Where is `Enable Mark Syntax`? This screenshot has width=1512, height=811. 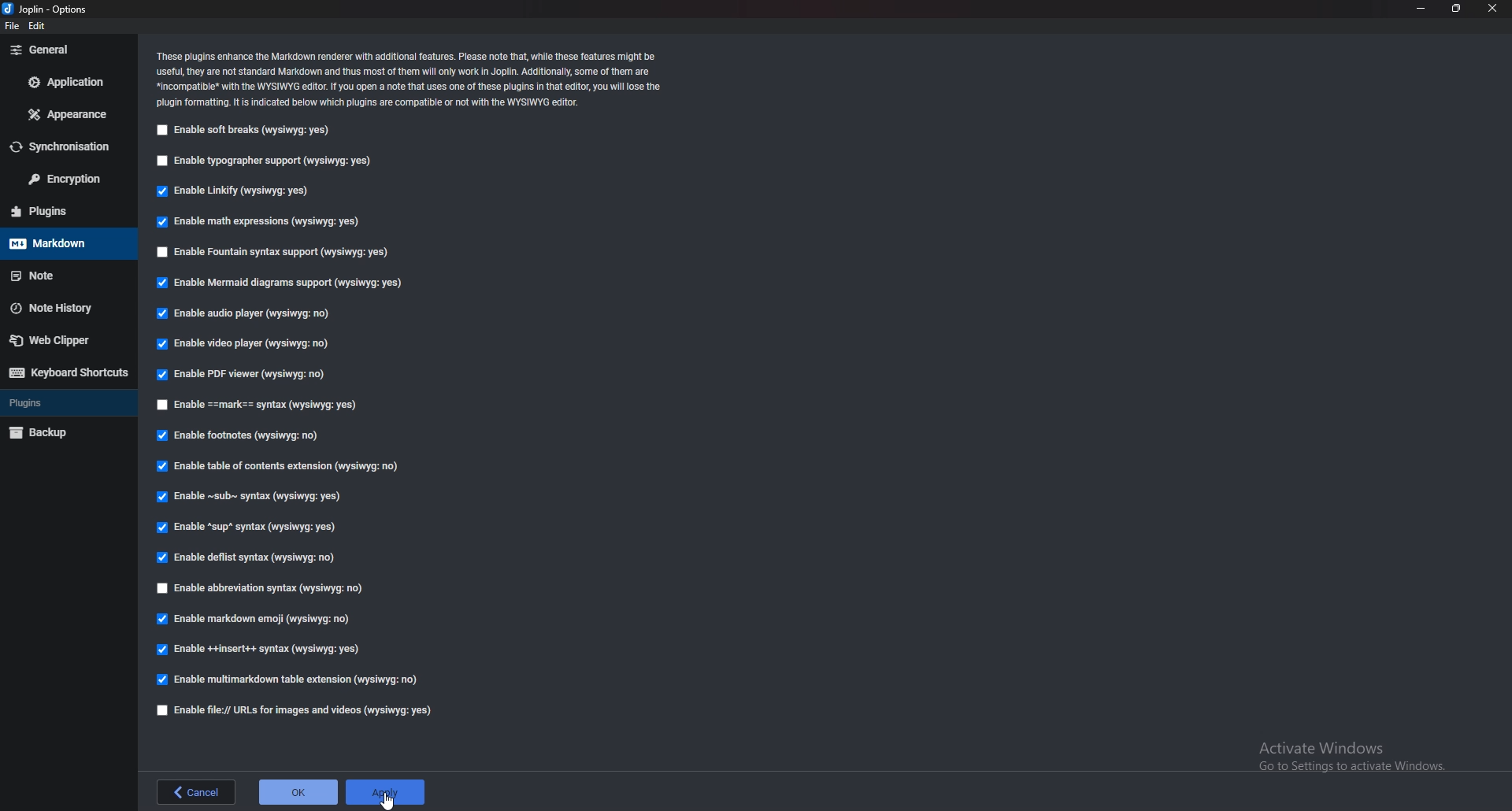 Enable Mark Syntax is located at coordinates (258, 405).